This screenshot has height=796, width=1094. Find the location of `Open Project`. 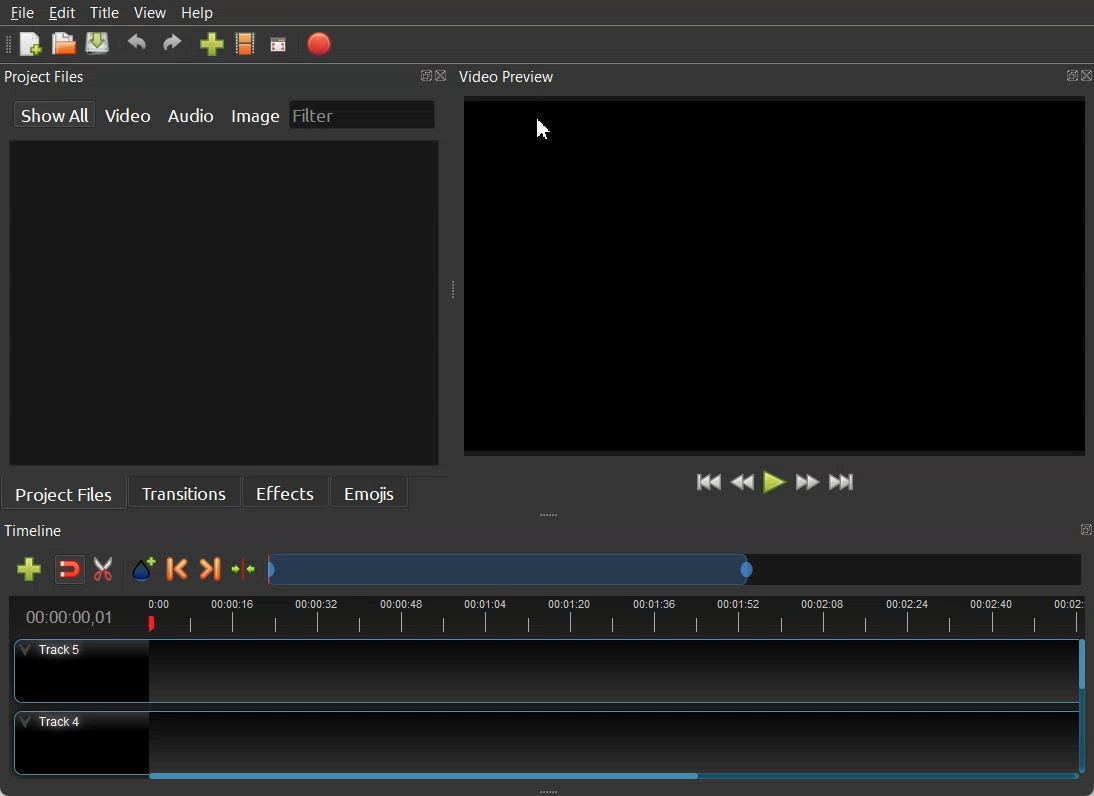

Open Project is located at coordinates (64, 45).